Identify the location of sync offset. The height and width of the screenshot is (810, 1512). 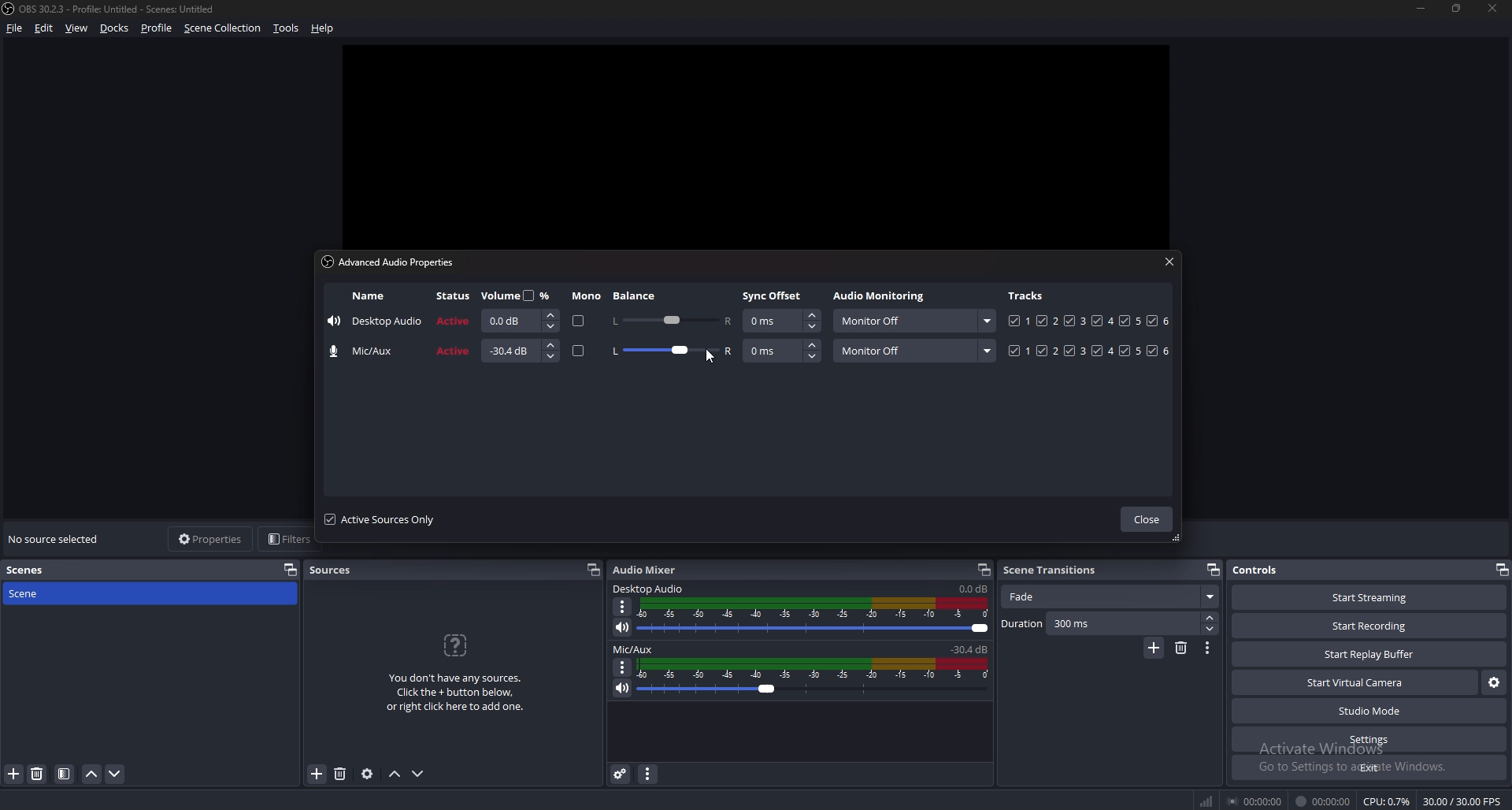
(774, 295).